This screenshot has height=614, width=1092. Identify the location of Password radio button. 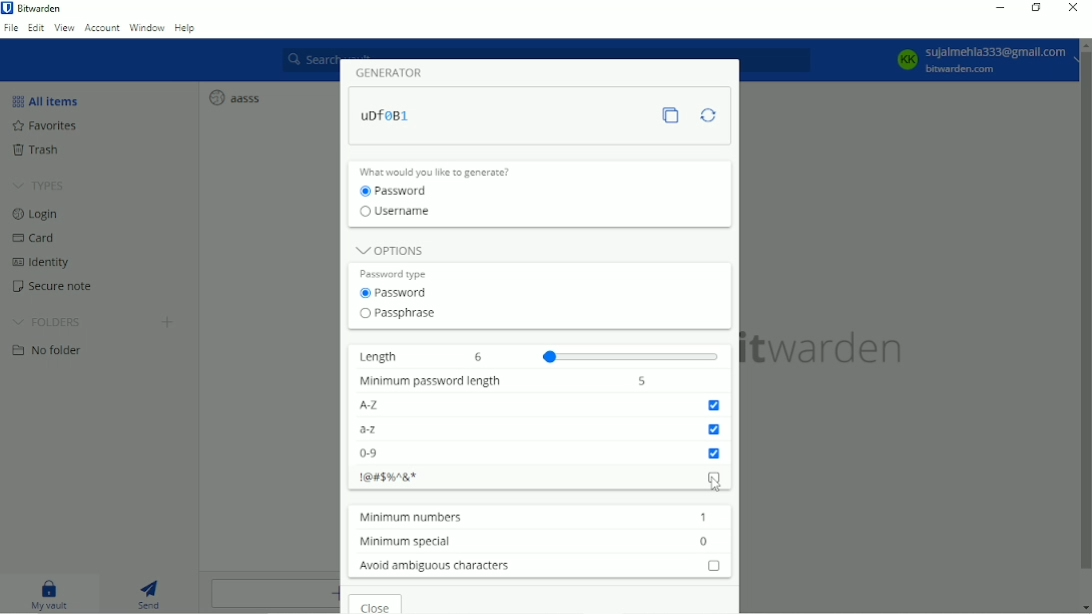
(402, 192).